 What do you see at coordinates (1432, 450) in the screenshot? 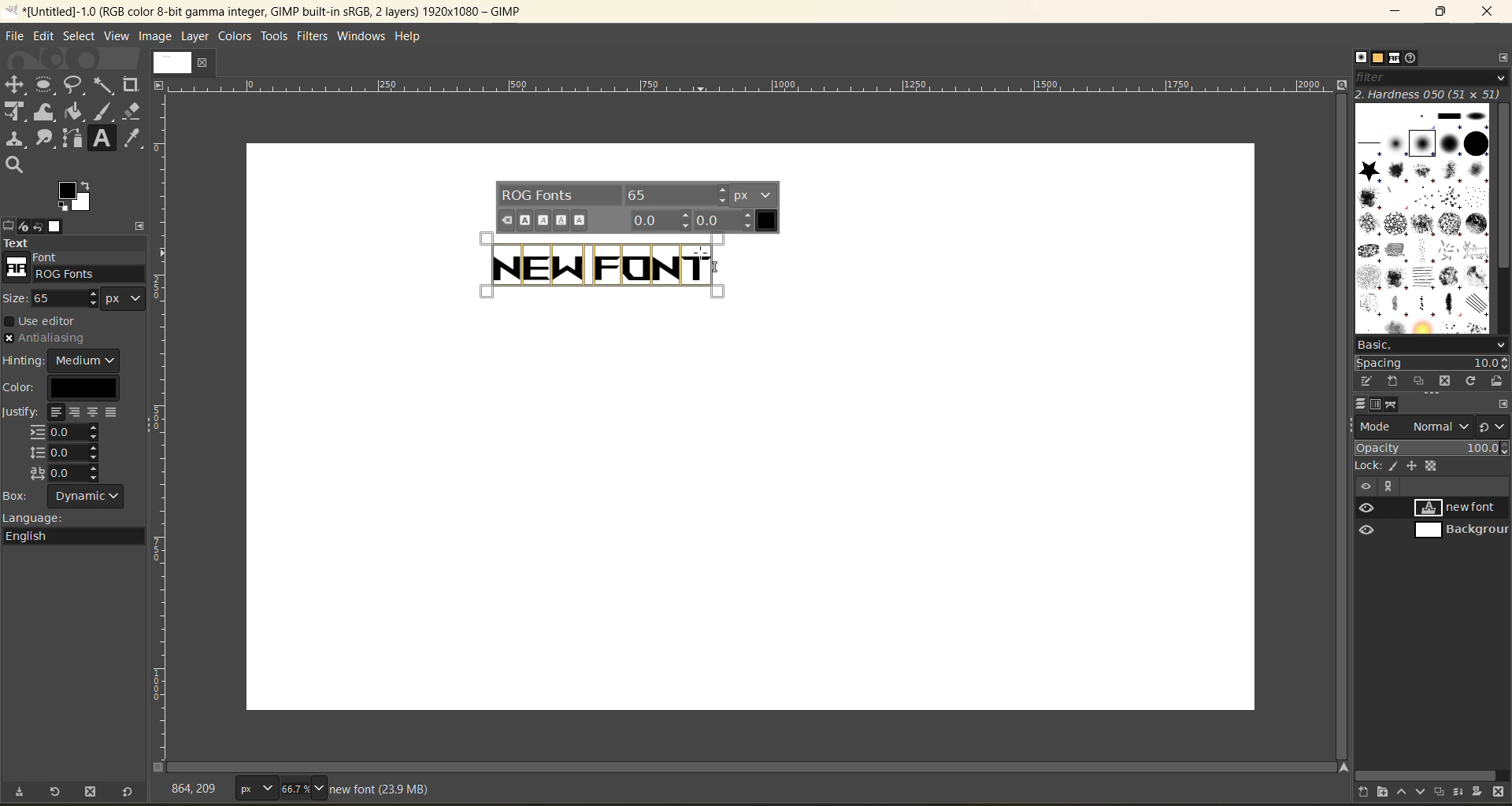
I see `opacity` at bounding box center [1432, 450].